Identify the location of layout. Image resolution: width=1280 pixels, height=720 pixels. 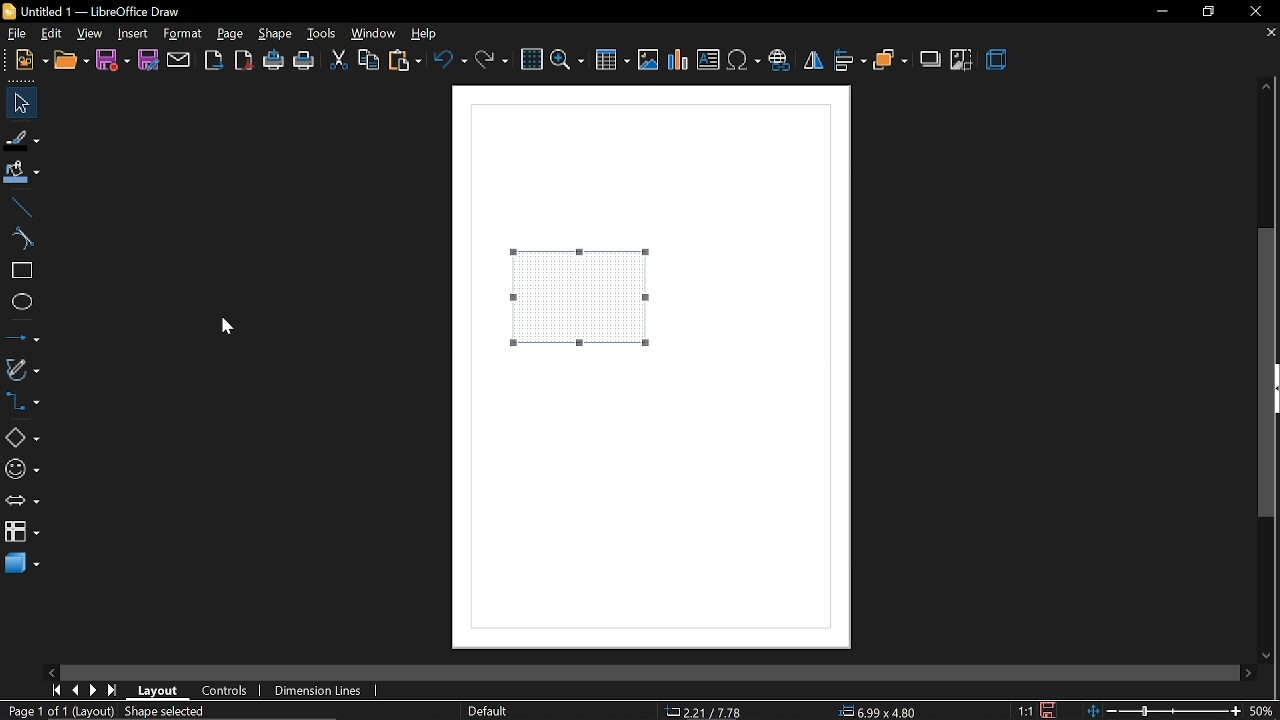
(155, 690).